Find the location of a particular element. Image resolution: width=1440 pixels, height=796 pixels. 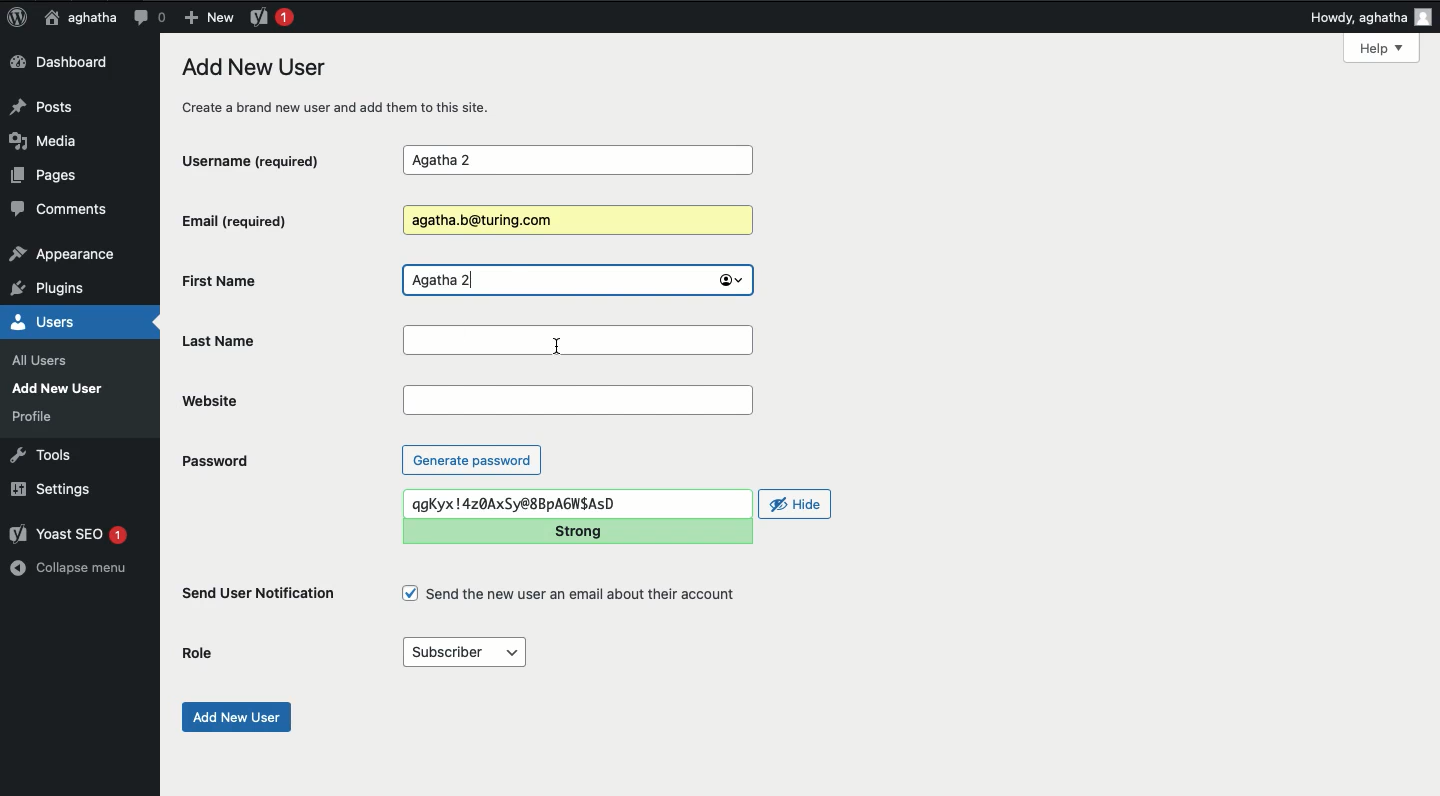

Agatha 2 is located at coordinates (577, 281).